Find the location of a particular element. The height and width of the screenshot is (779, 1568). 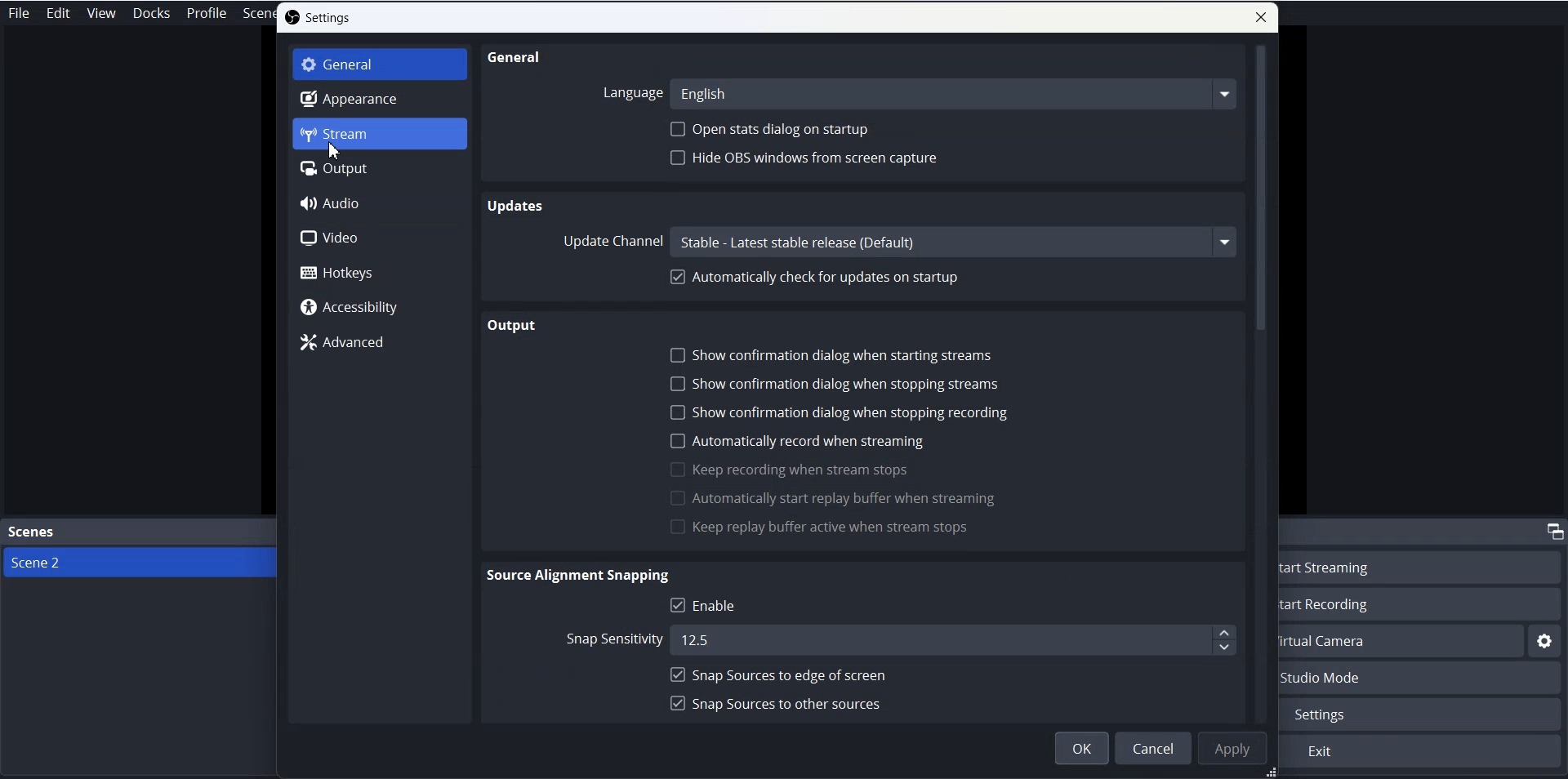

Edit is located at coordinates (59, 13).